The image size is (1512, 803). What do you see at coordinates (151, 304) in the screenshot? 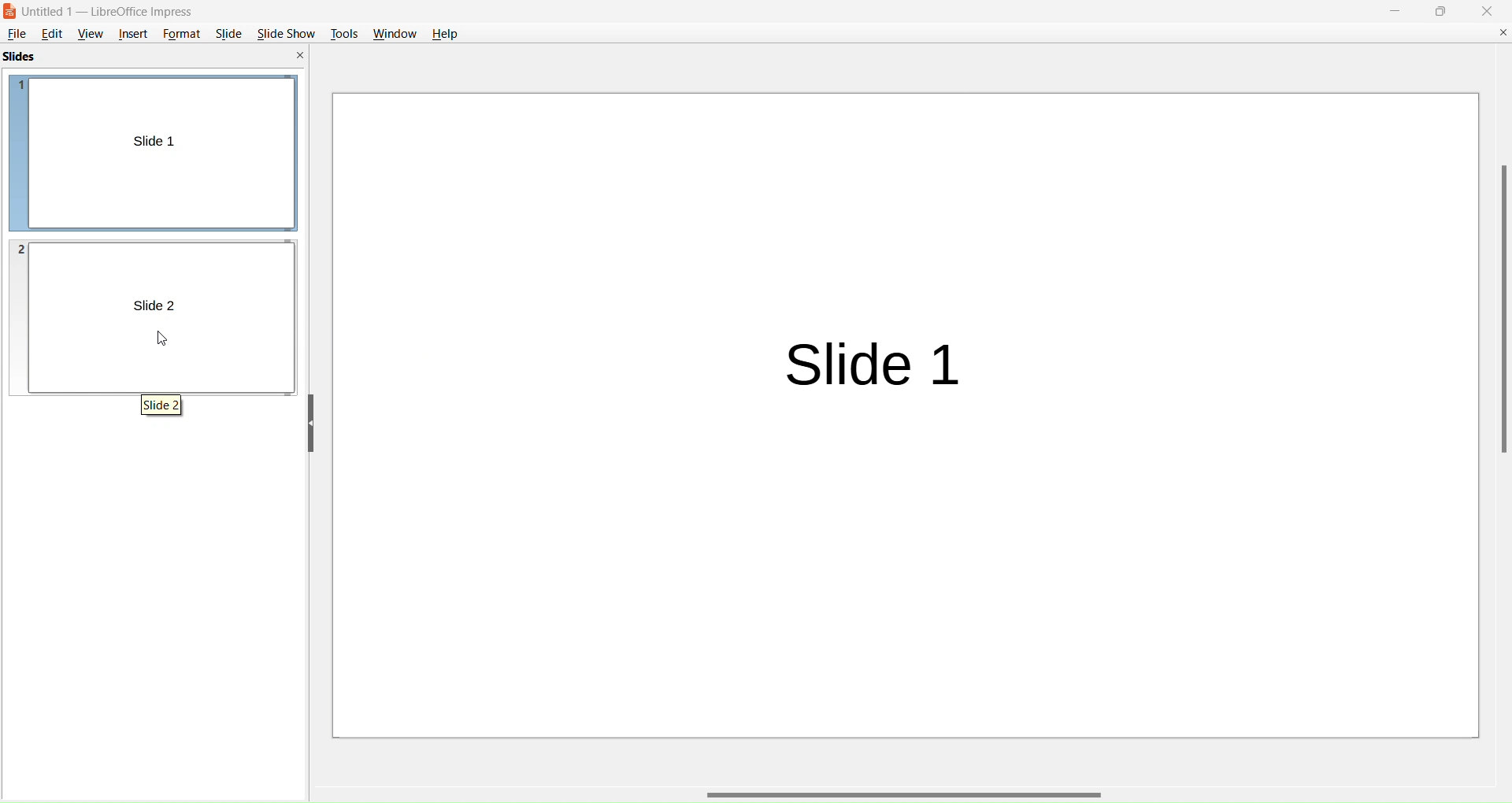
I see `slide 2` at bounding box center [151, 304].